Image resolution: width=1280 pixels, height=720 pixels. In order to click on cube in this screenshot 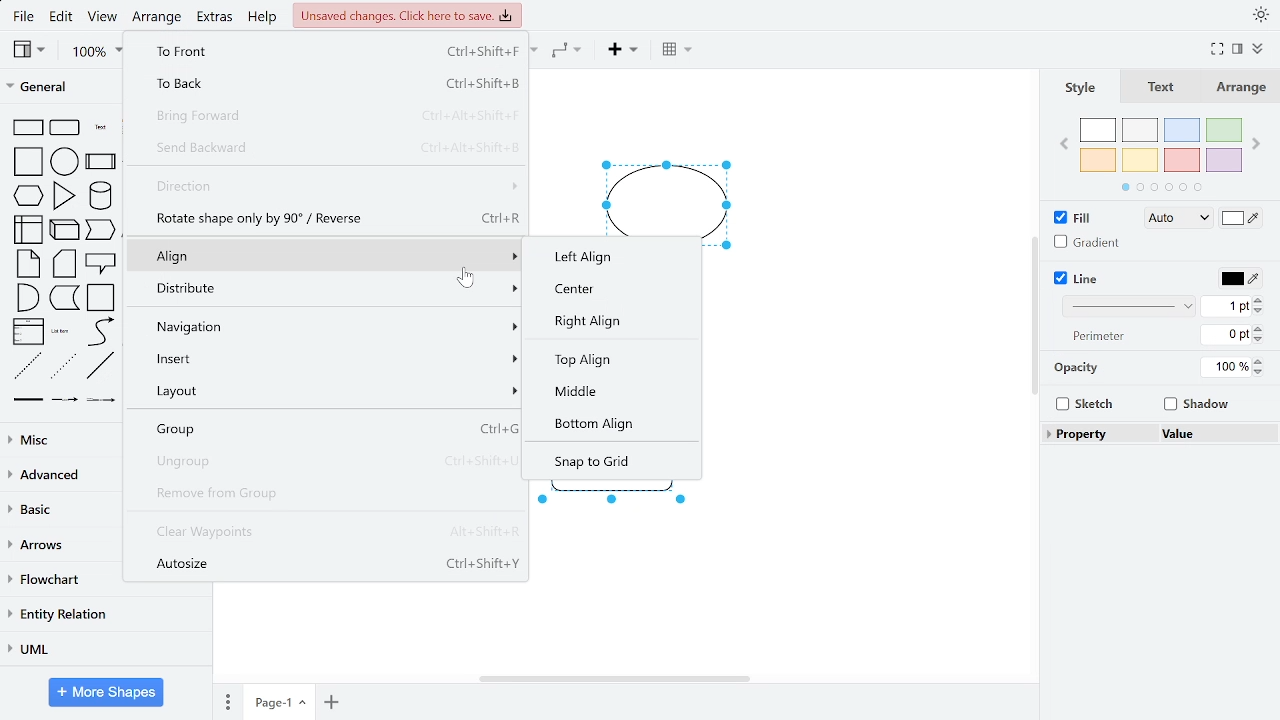, I will do `click(66, 229)`.